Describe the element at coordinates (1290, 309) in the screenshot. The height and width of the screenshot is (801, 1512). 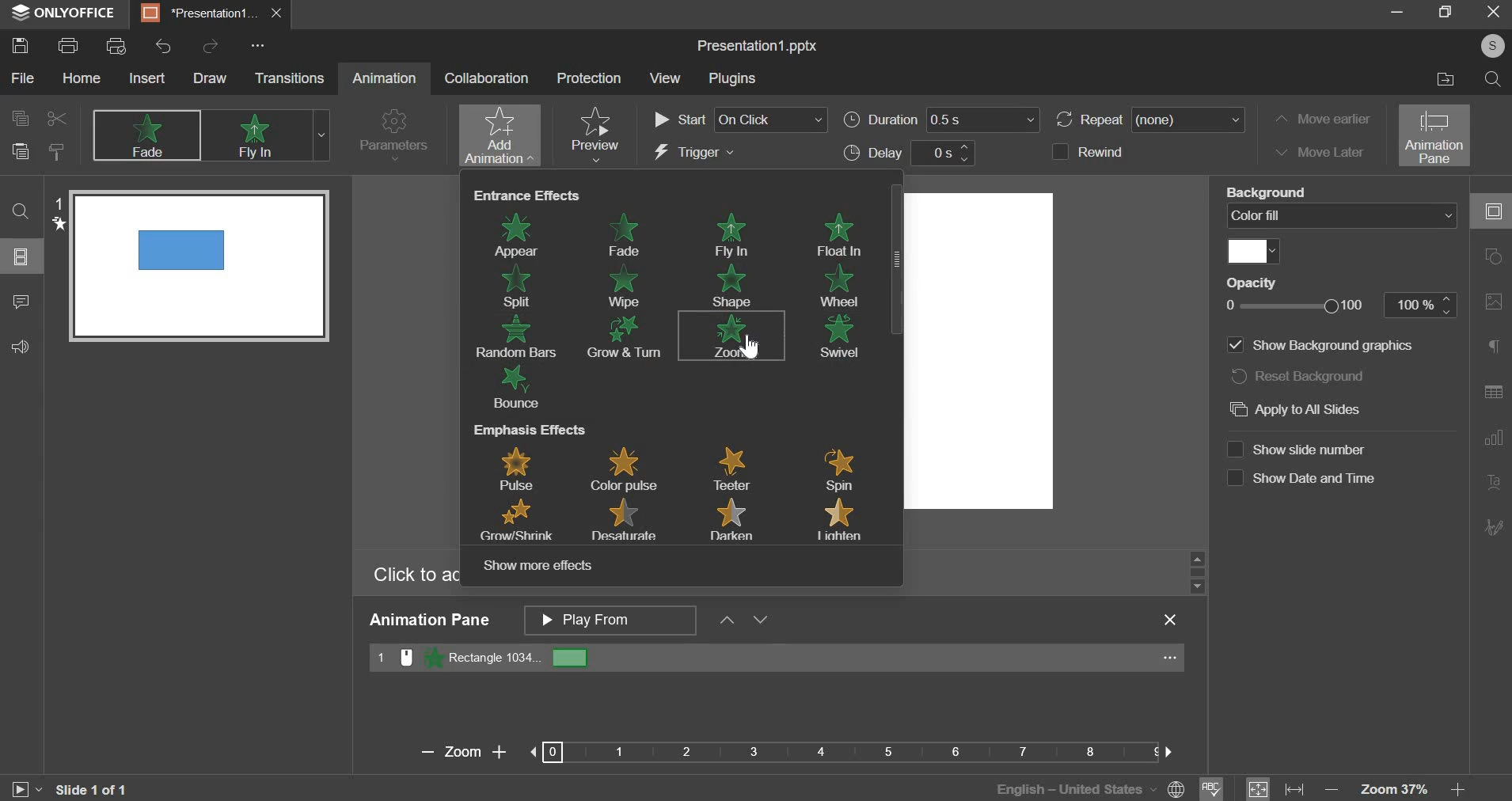
I see `opacity` at that location.